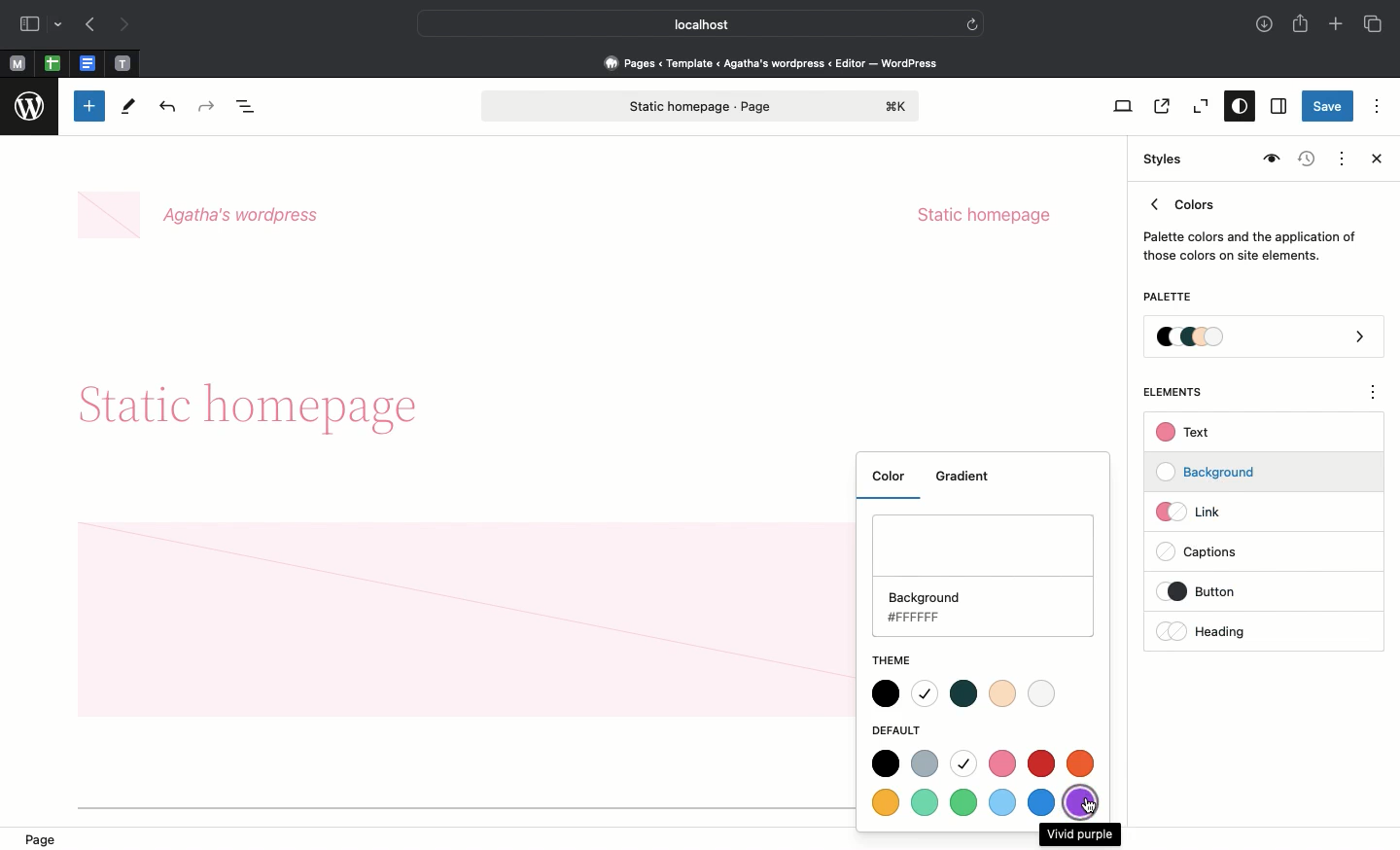  Describe the element at coordinates (89, 64) in the screenshot. I see `Pinned tab` at that location.